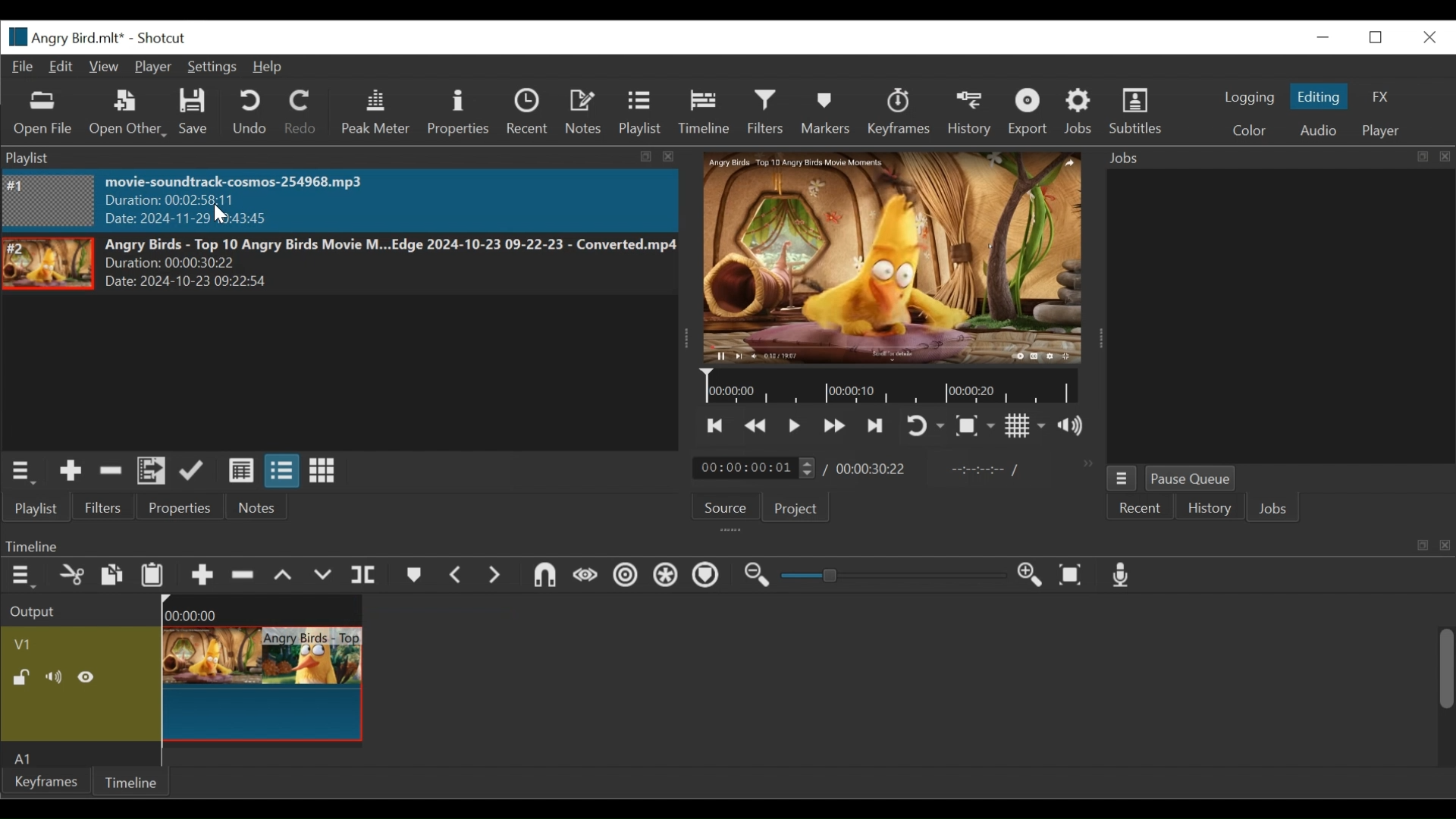  I want to click on Shotcut, so click(165, 38).